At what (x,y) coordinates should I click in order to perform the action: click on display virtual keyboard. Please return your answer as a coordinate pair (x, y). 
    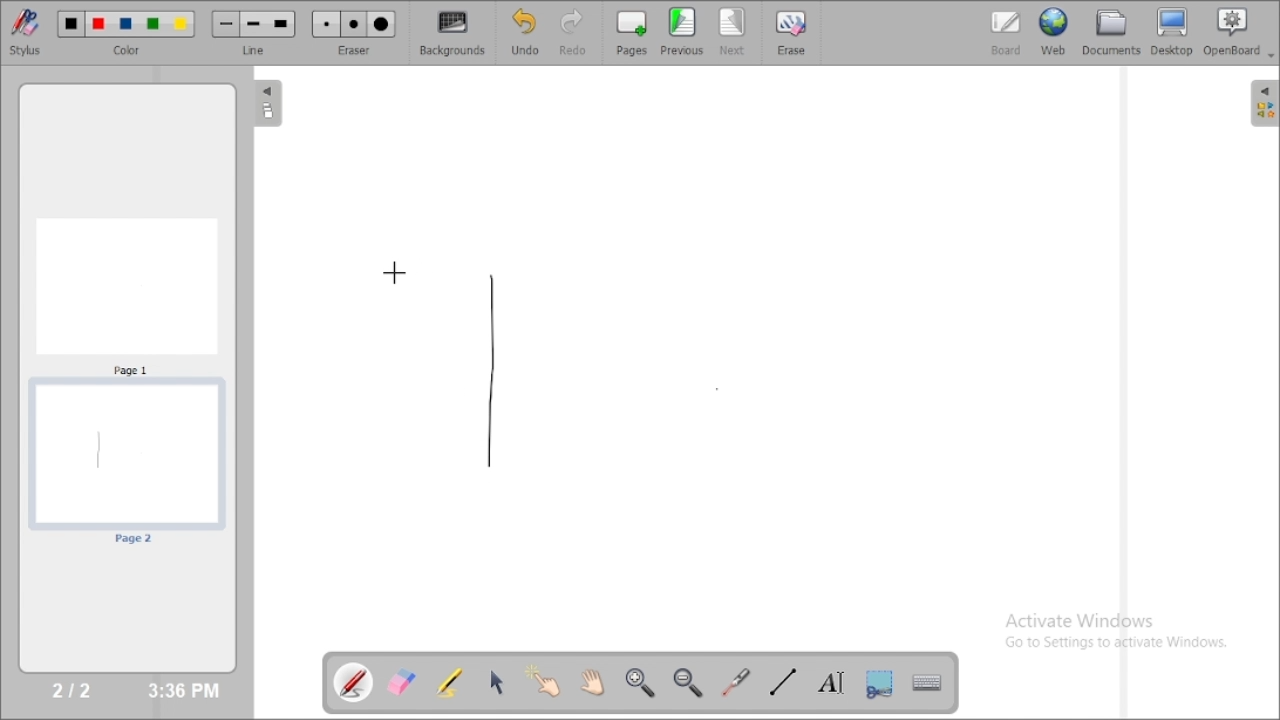
    Looking at the image, I should click on (926, 682).